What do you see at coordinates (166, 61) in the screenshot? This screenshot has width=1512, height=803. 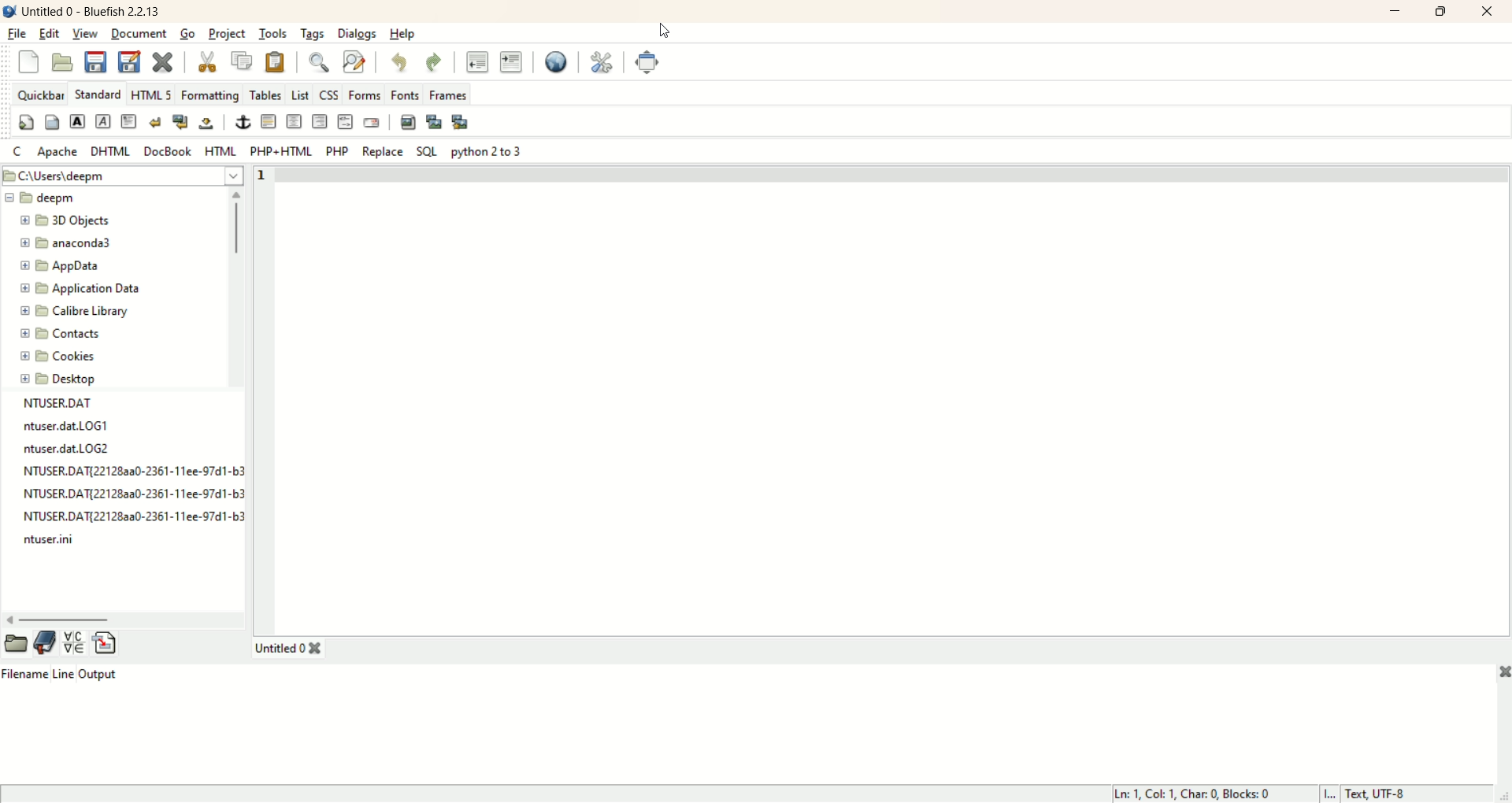 I see `close current file` at bounding box center [166, 61].